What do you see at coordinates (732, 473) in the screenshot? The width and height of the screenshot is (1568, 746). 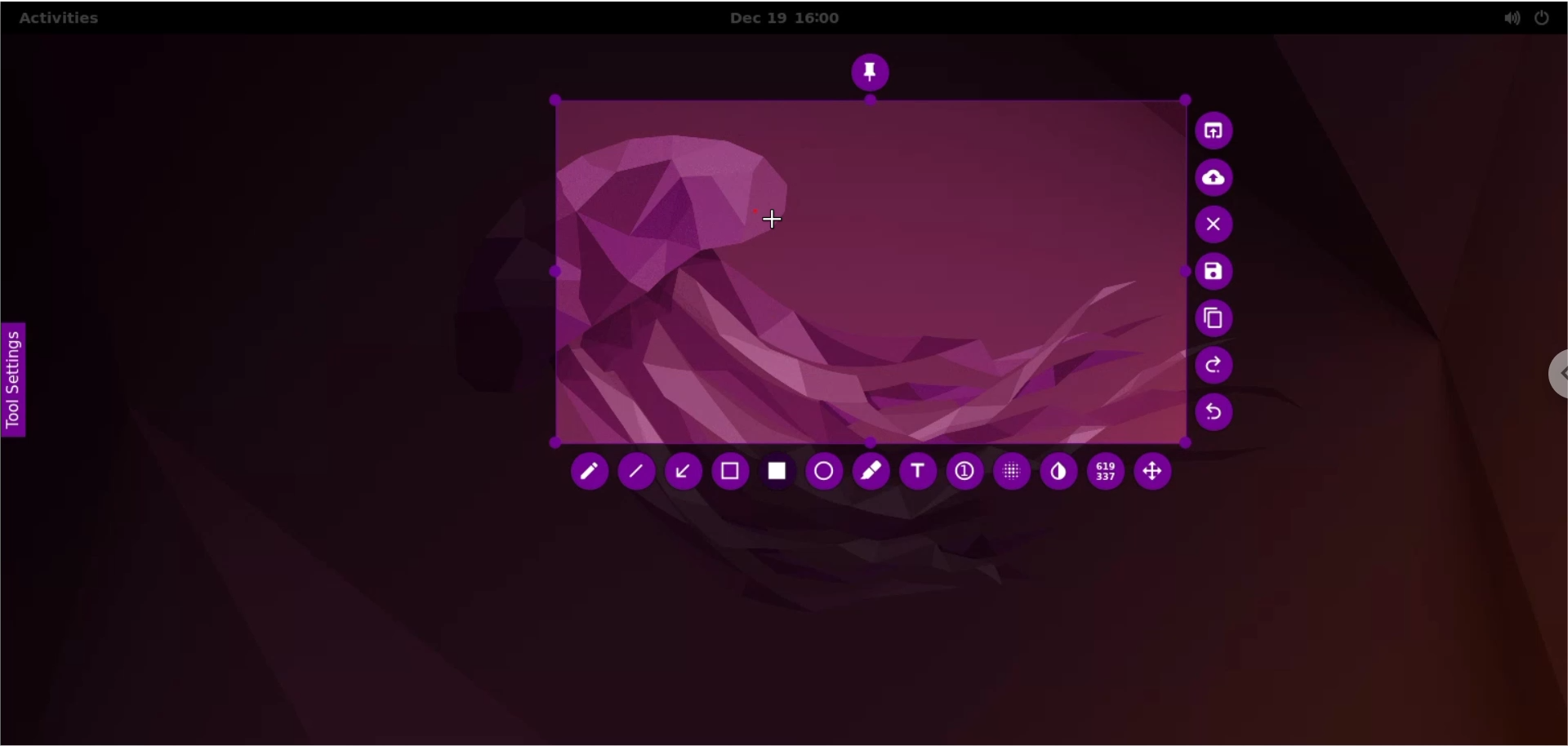 I see `retangle tool` at bounding box center [732, 473].